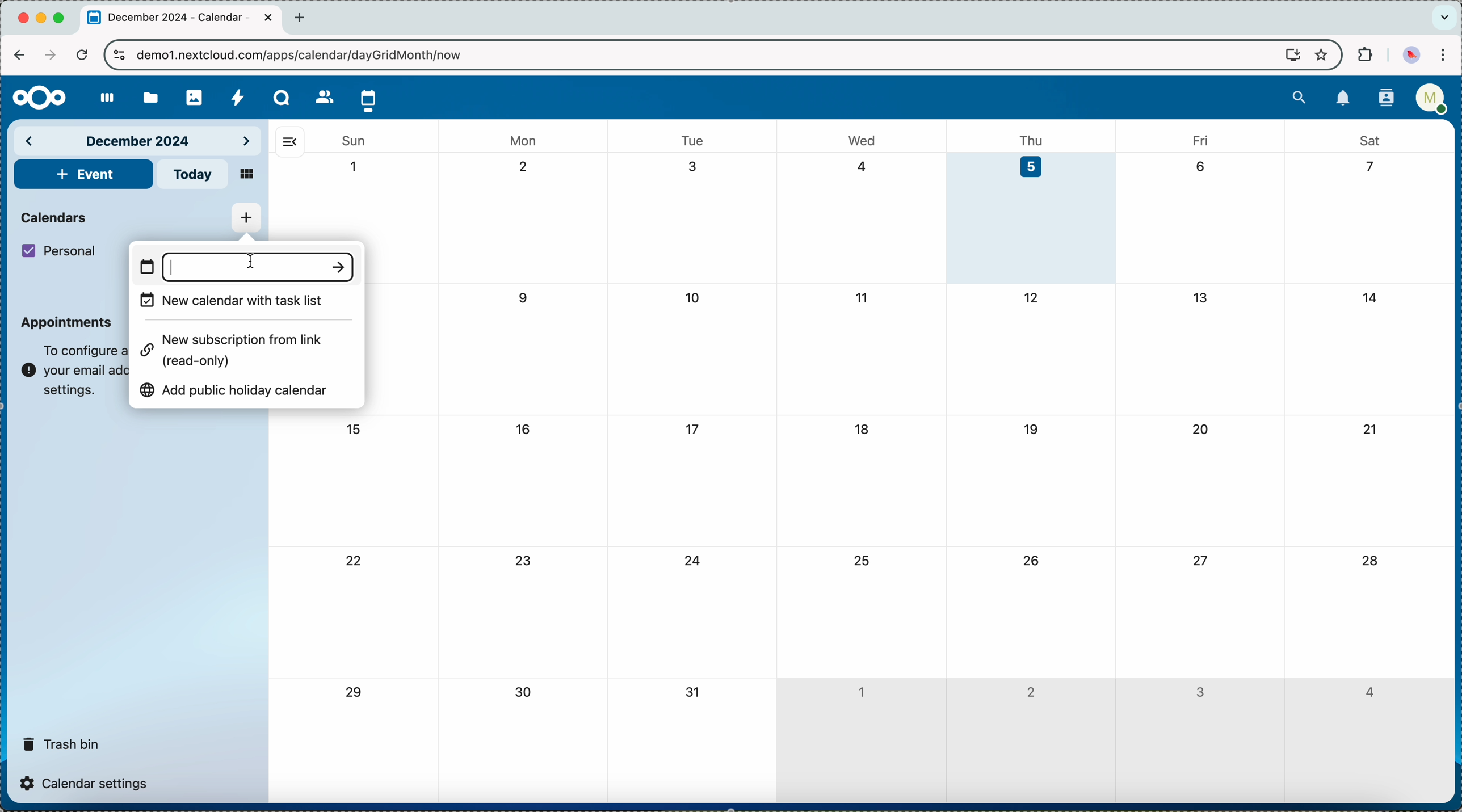 The image size is (1462, 812). I want to click on new calendar with task list, so click(233, 301).